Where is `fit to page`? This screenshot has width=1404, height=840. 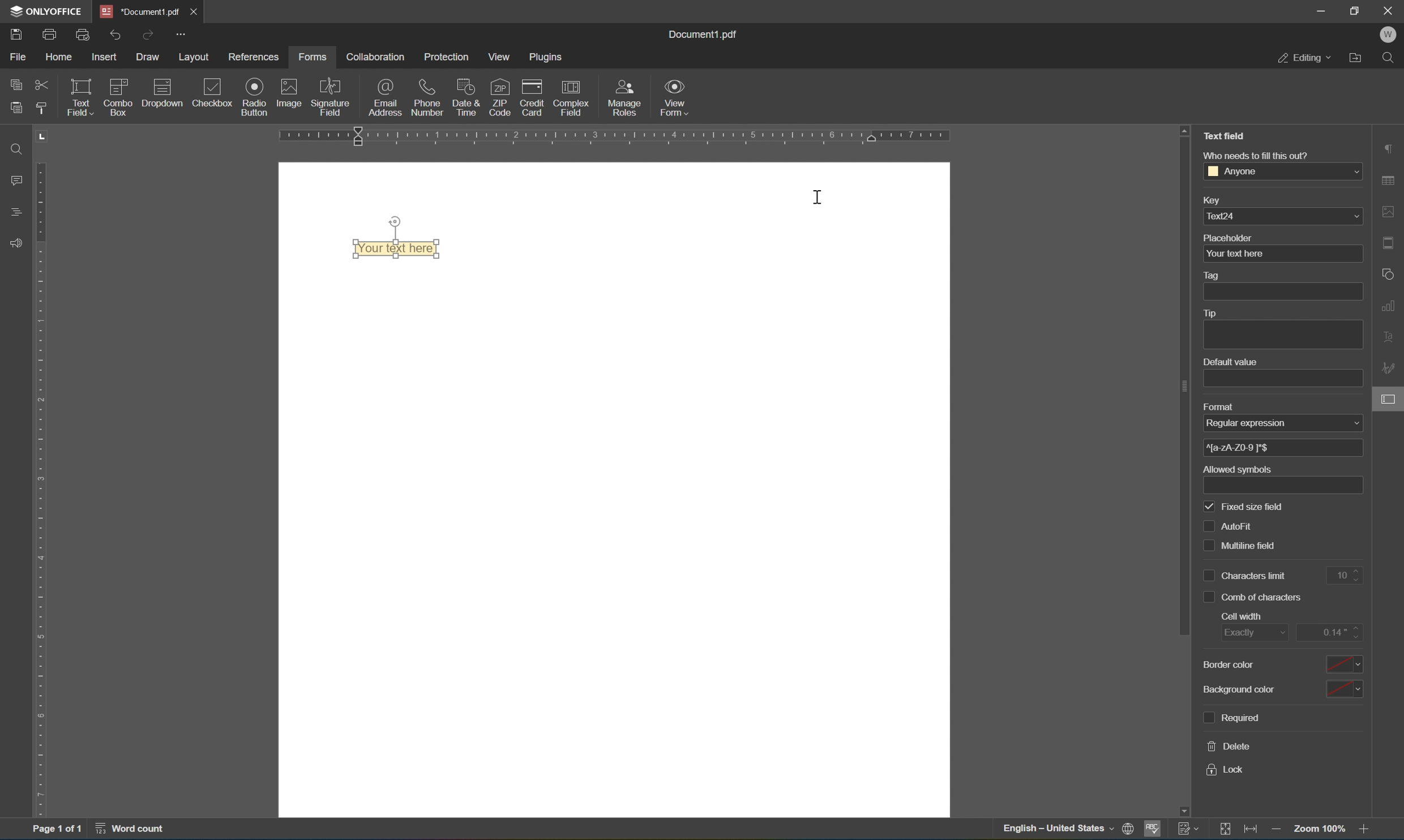 fit to page is located at coordinates (1225, 829).